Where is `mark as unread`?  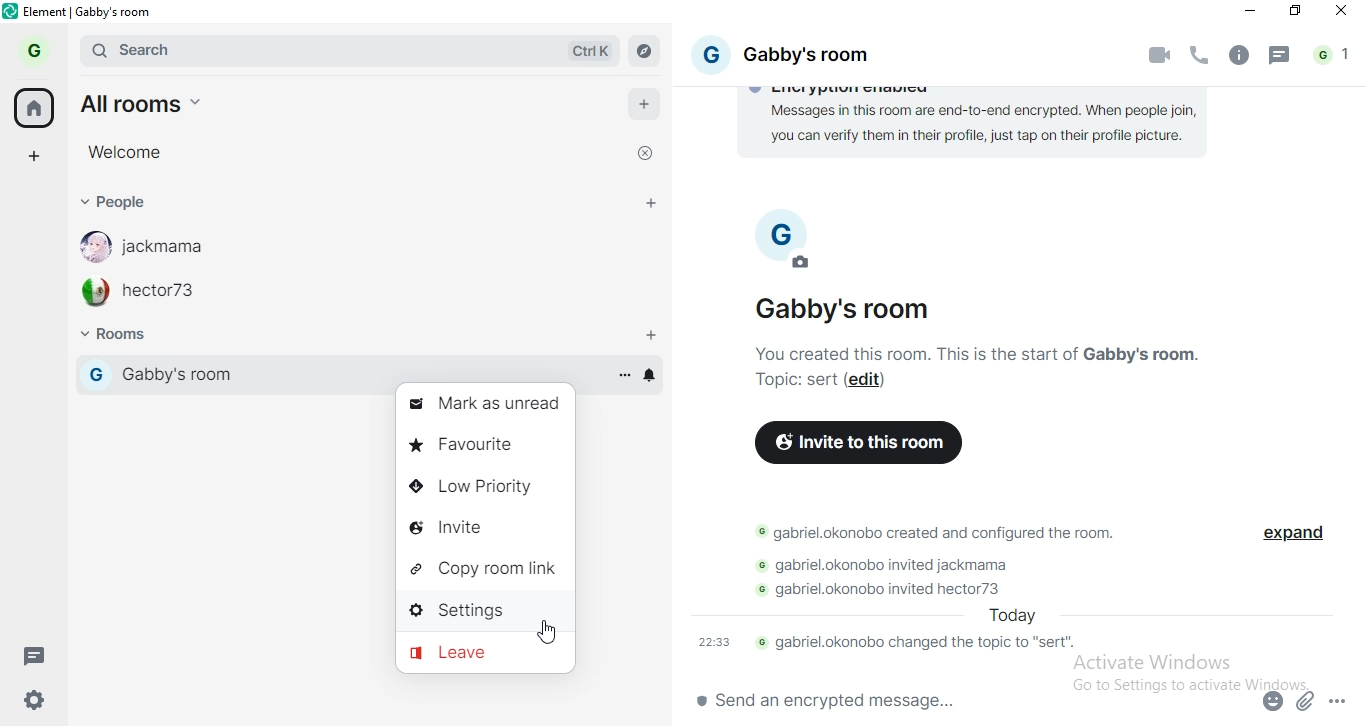 mark as unread is located at coordinates (483, 402).